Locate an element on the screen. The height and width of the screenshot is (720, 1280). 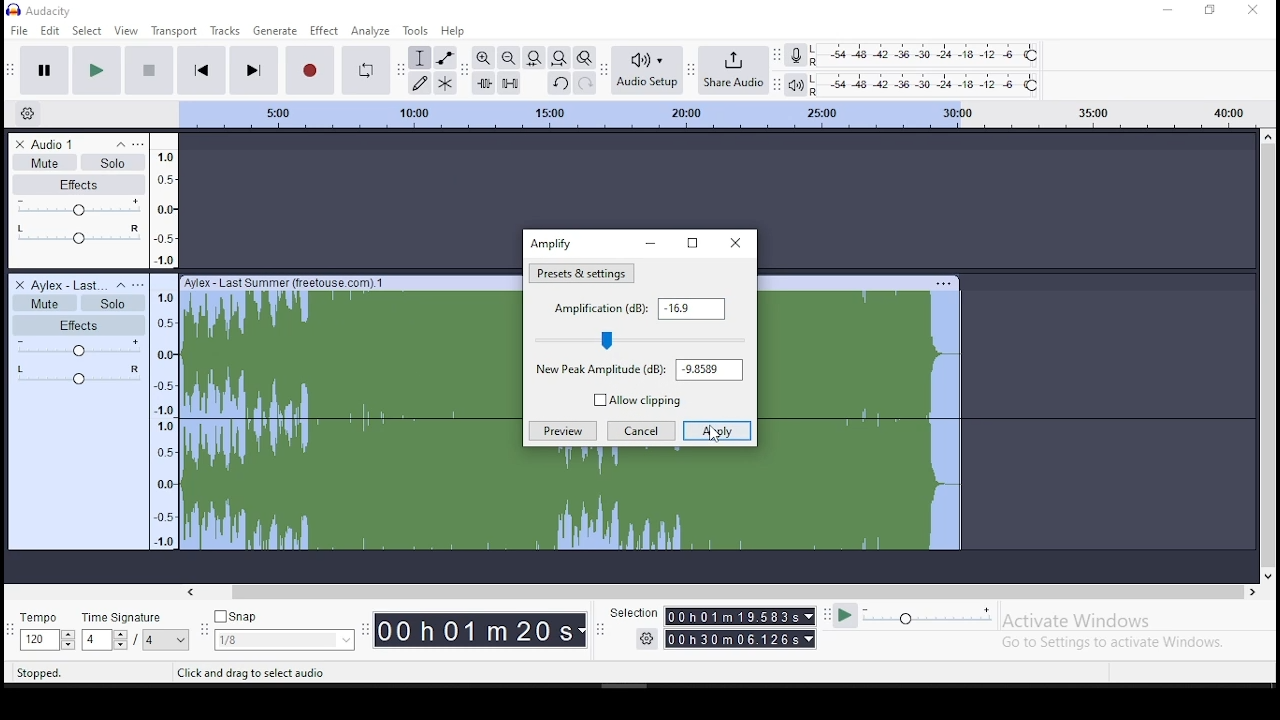
preview is located at coordinates (564, 432).